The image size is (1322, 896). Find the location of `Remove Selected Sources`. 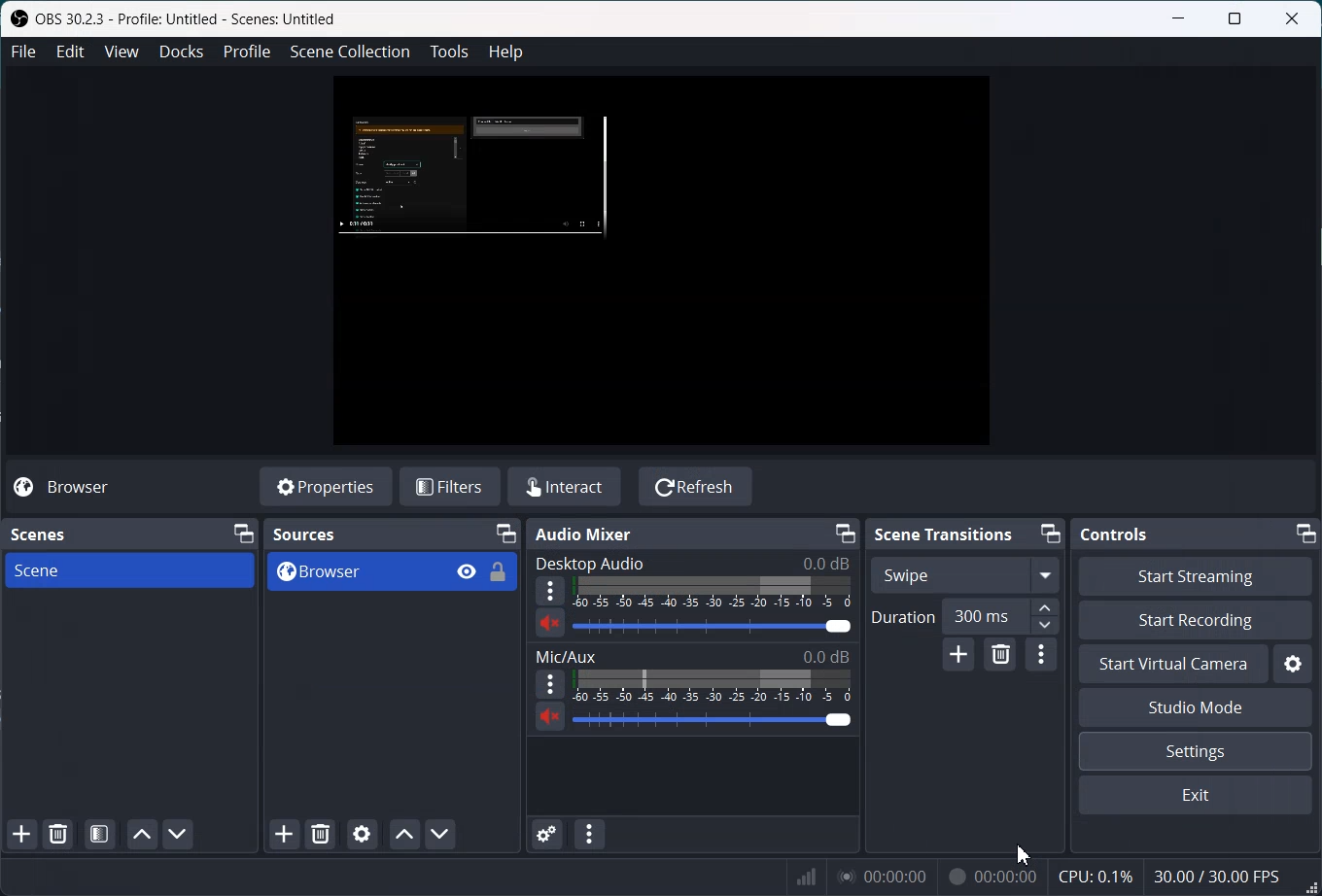

Remove Selected Sources is located at coordinates (321, 833).